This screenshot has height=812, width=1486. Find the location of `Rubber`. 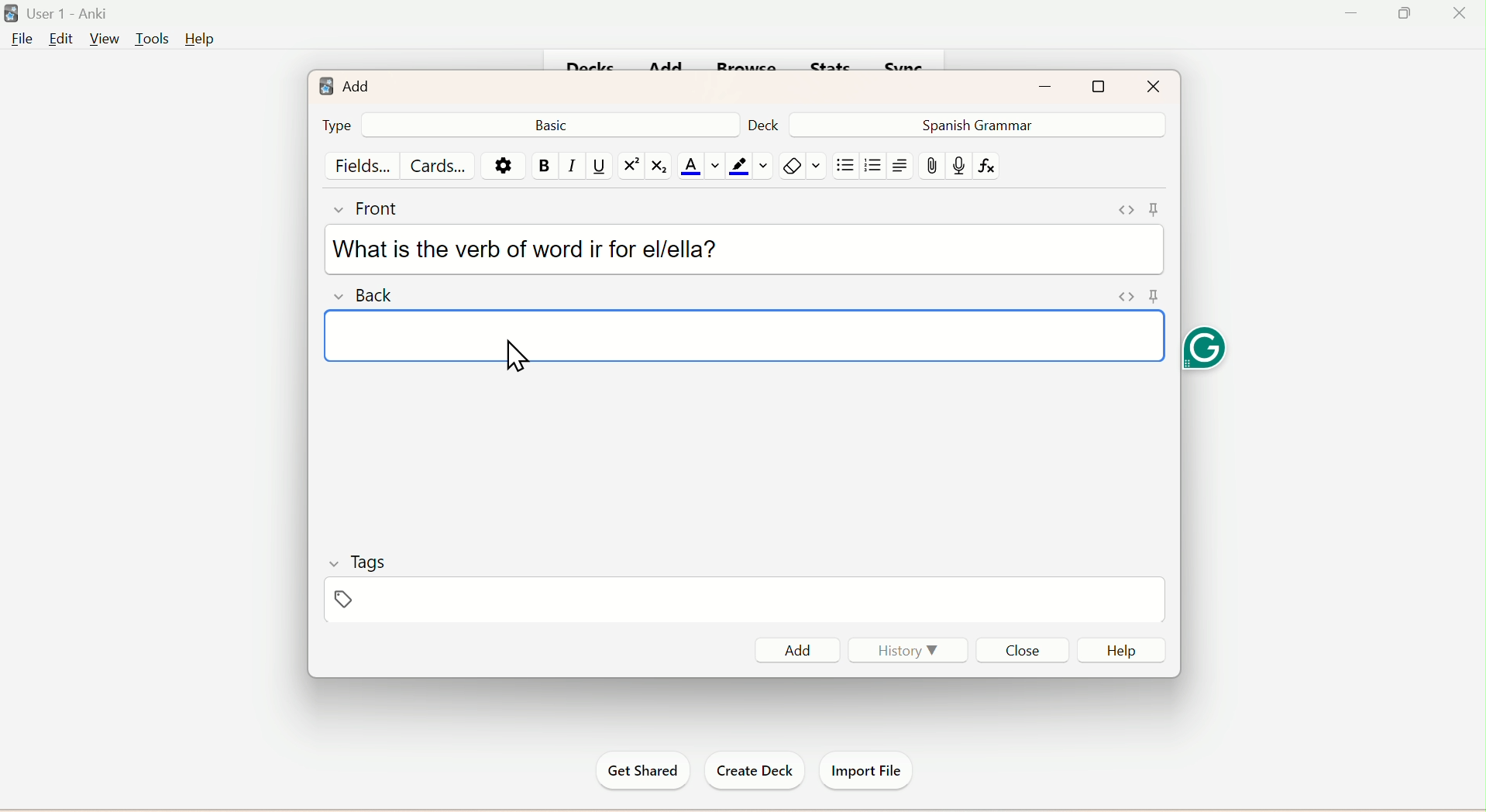

Rubber is located at coordinates (805, 167).